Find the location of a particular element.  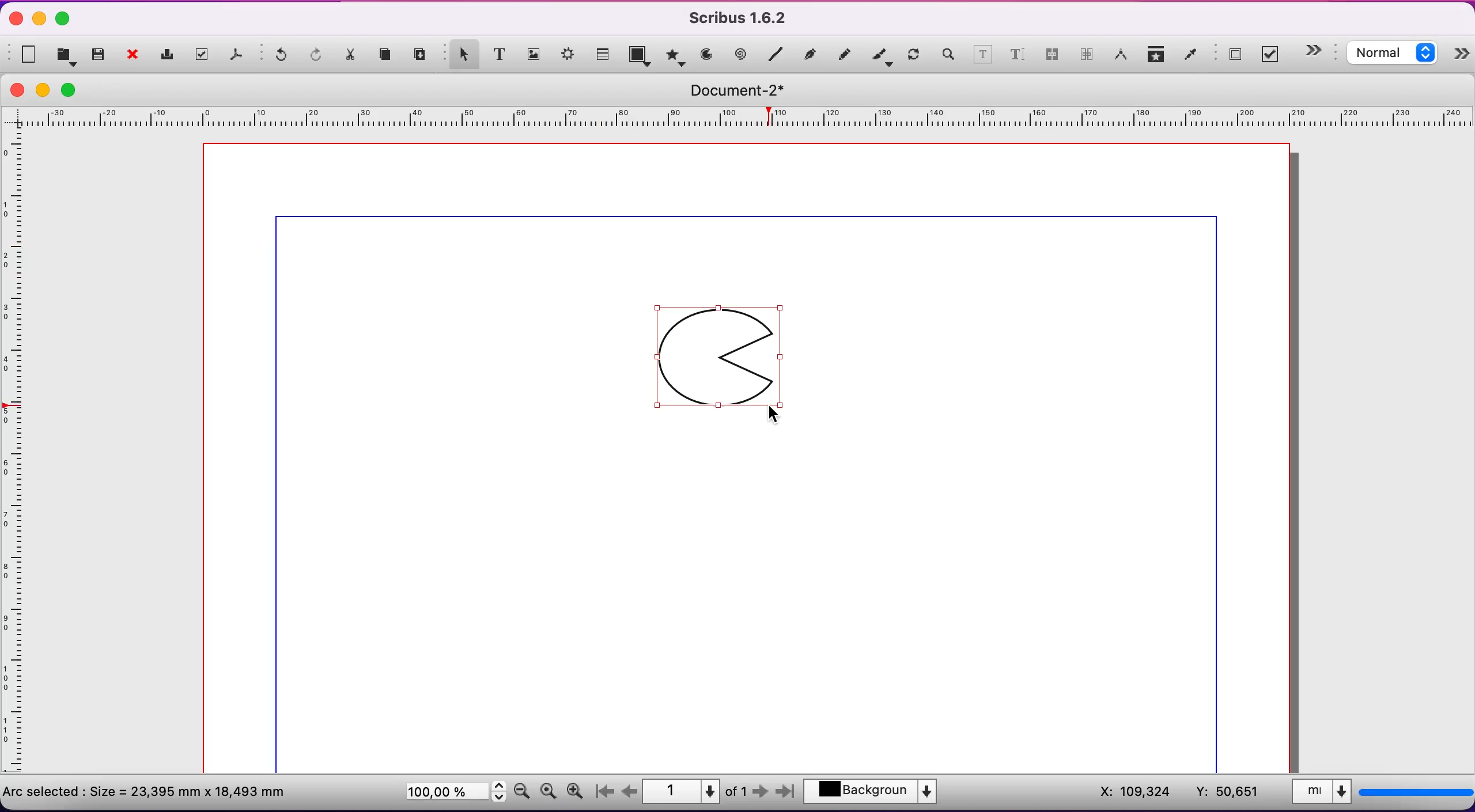

hide/show panel is located at coordinates (1462, 56).